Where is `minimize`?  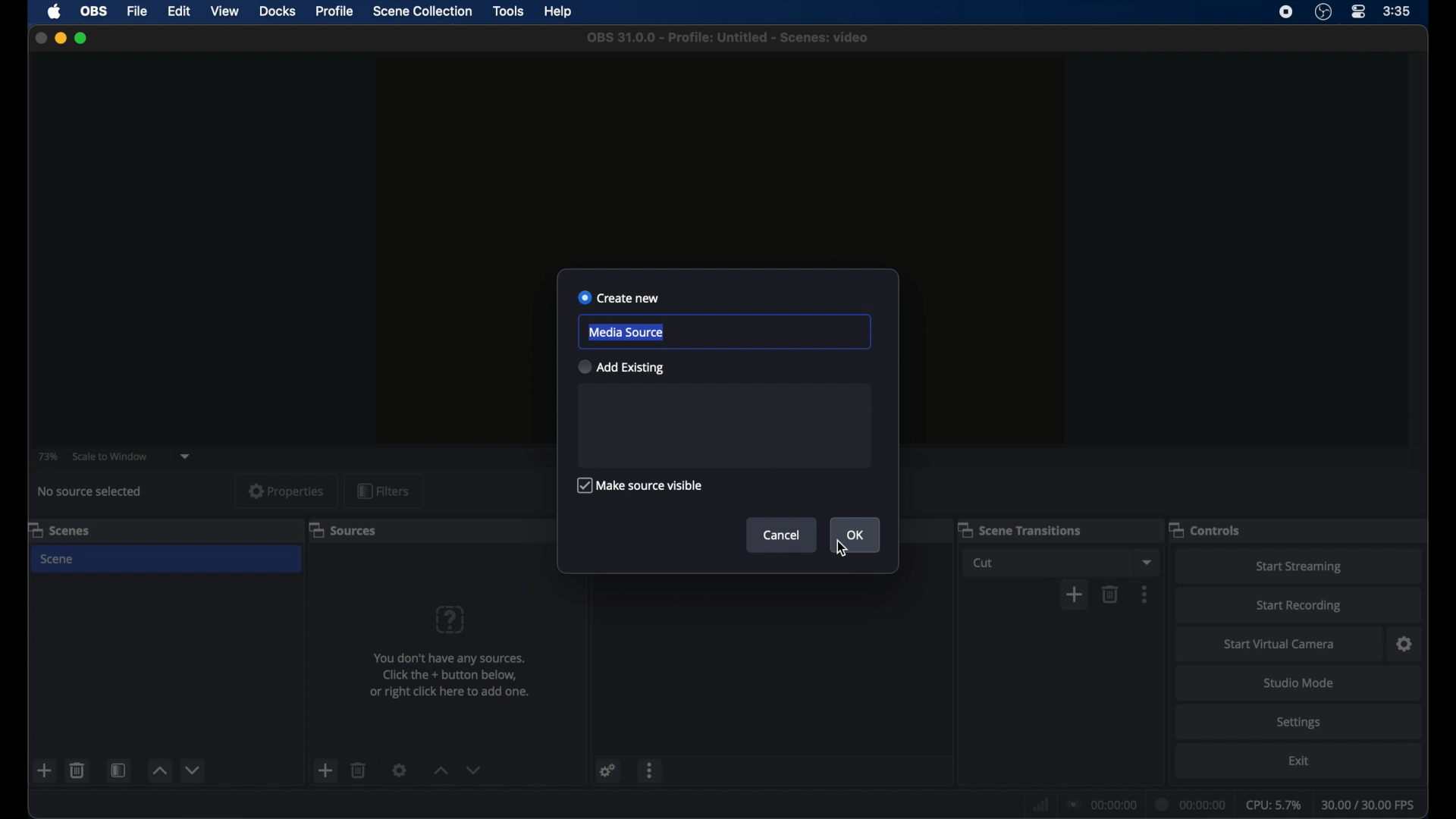 minimize is located at coordinates (60, 39).